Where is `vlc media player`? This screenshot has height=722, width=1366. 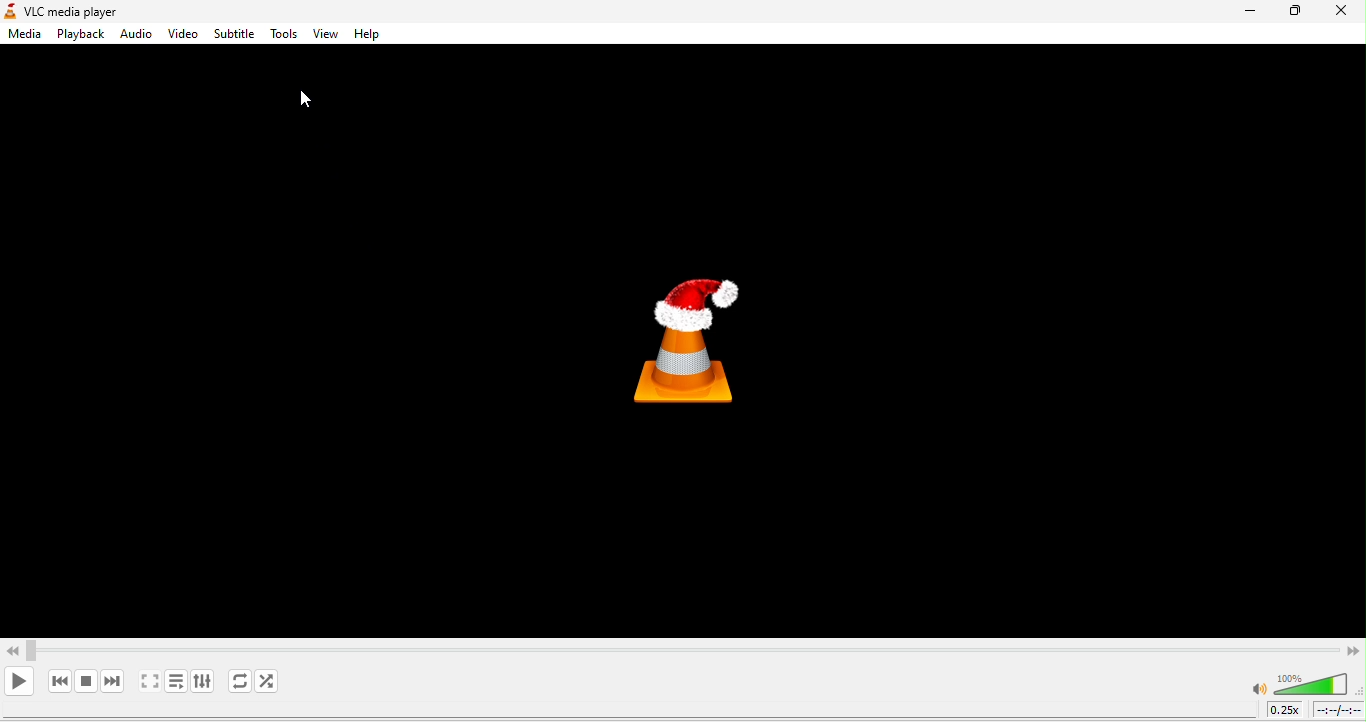 vlc media player is located at coordinates (96, 10).